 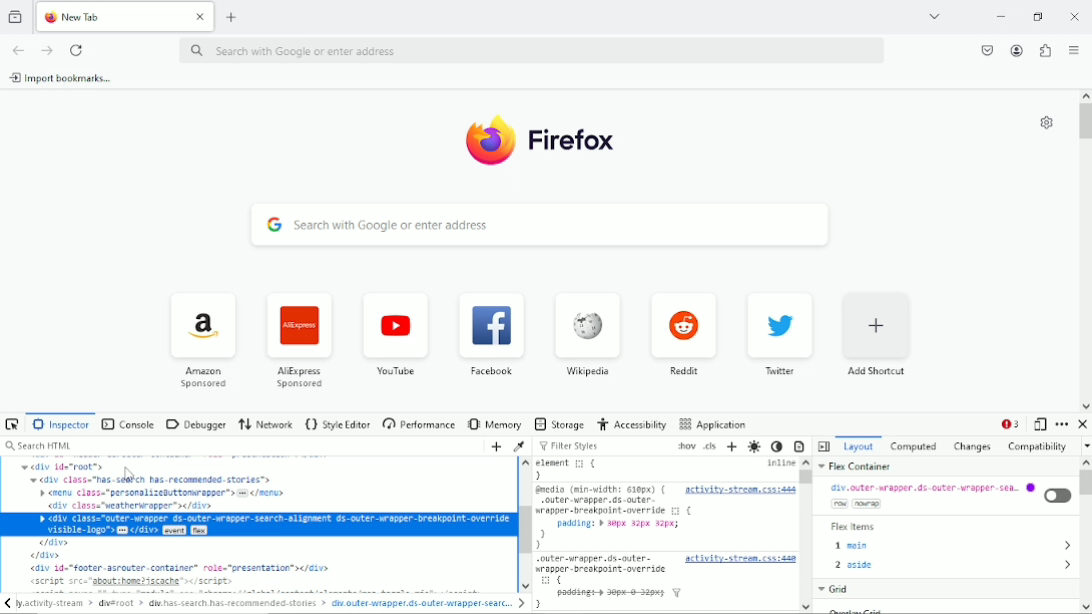 What do you see at coordinates (1084, 124) in the screenshot?
I see `Vertical scrollbar` at bounding box center [1084, 124].